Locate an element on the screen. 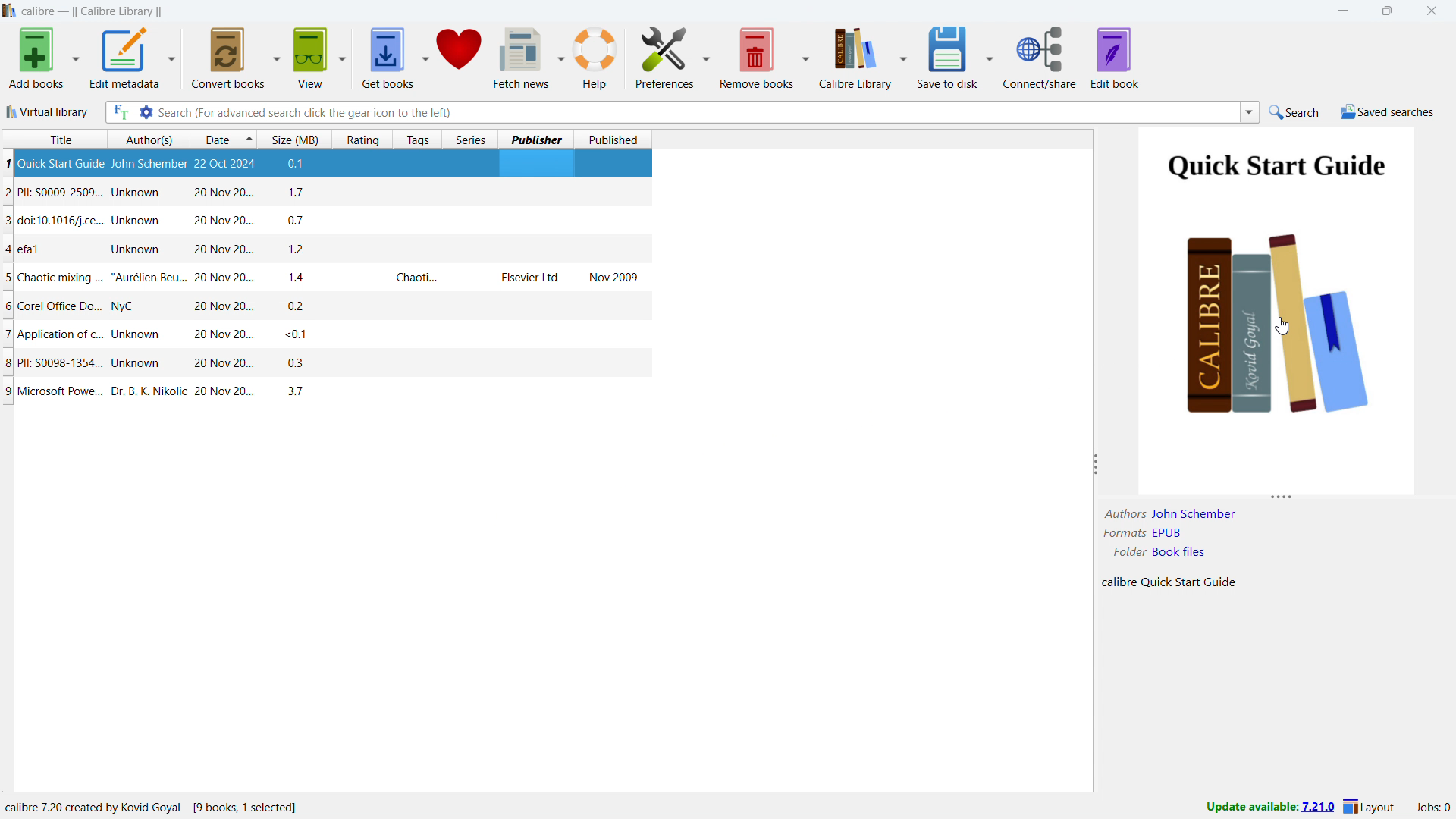 Image resolution: width=1456 pixels, height=819 pixels. Corel Office Do... NyC is located at coordinates (77, 308).